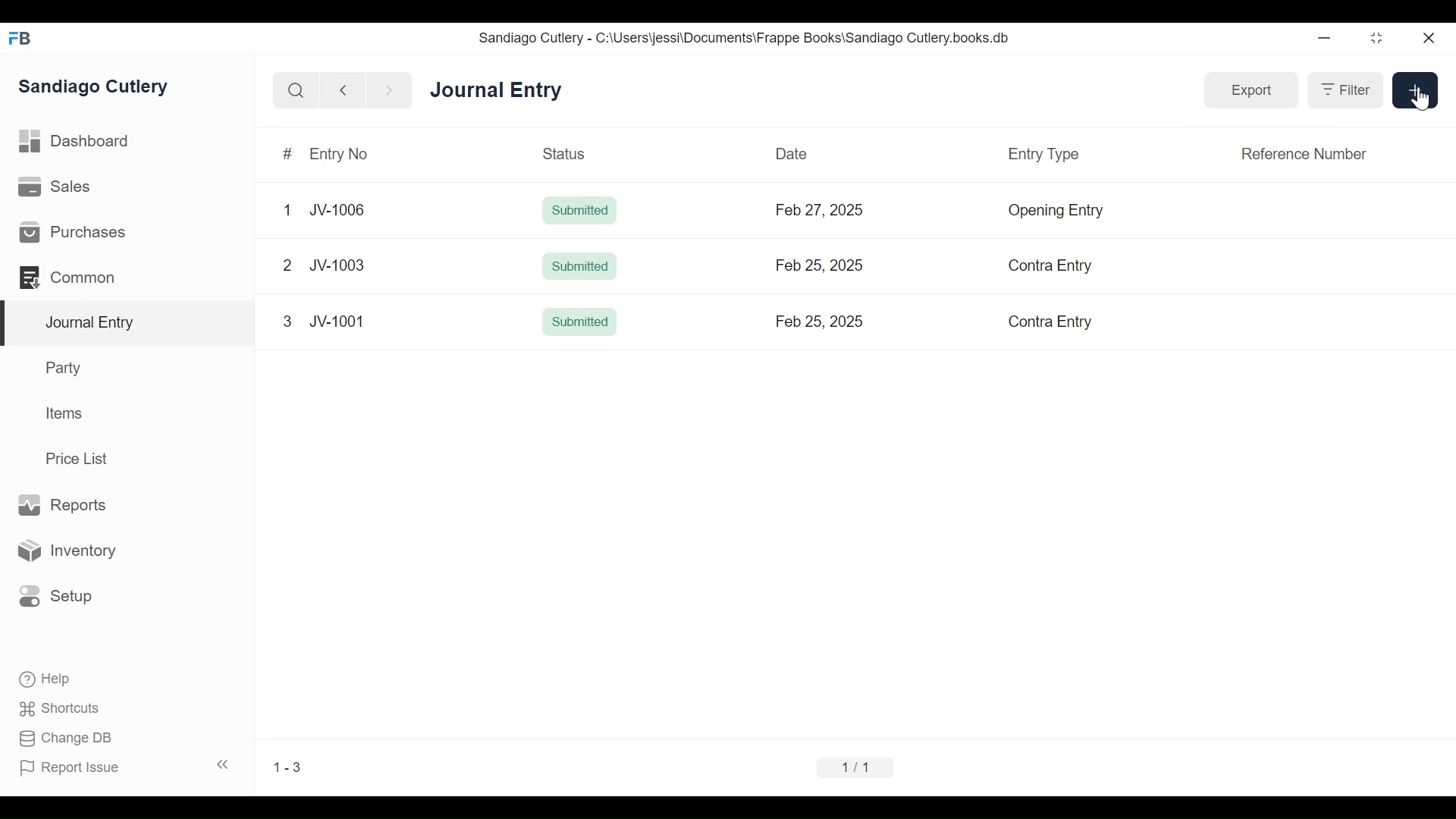  I want to click on close, so click(1434, 36).